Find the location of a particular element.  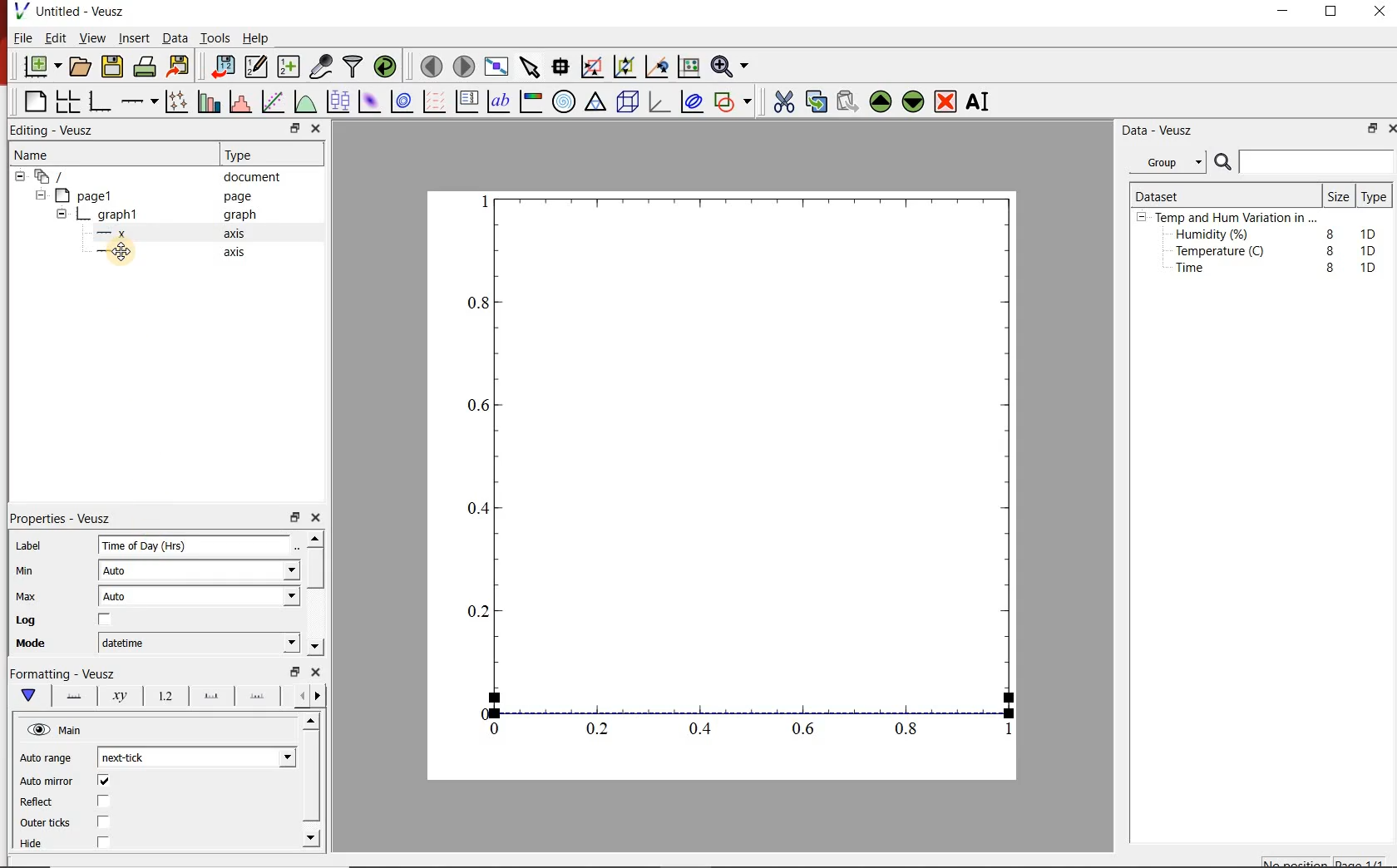

close is located at coordinates (1380, 12).